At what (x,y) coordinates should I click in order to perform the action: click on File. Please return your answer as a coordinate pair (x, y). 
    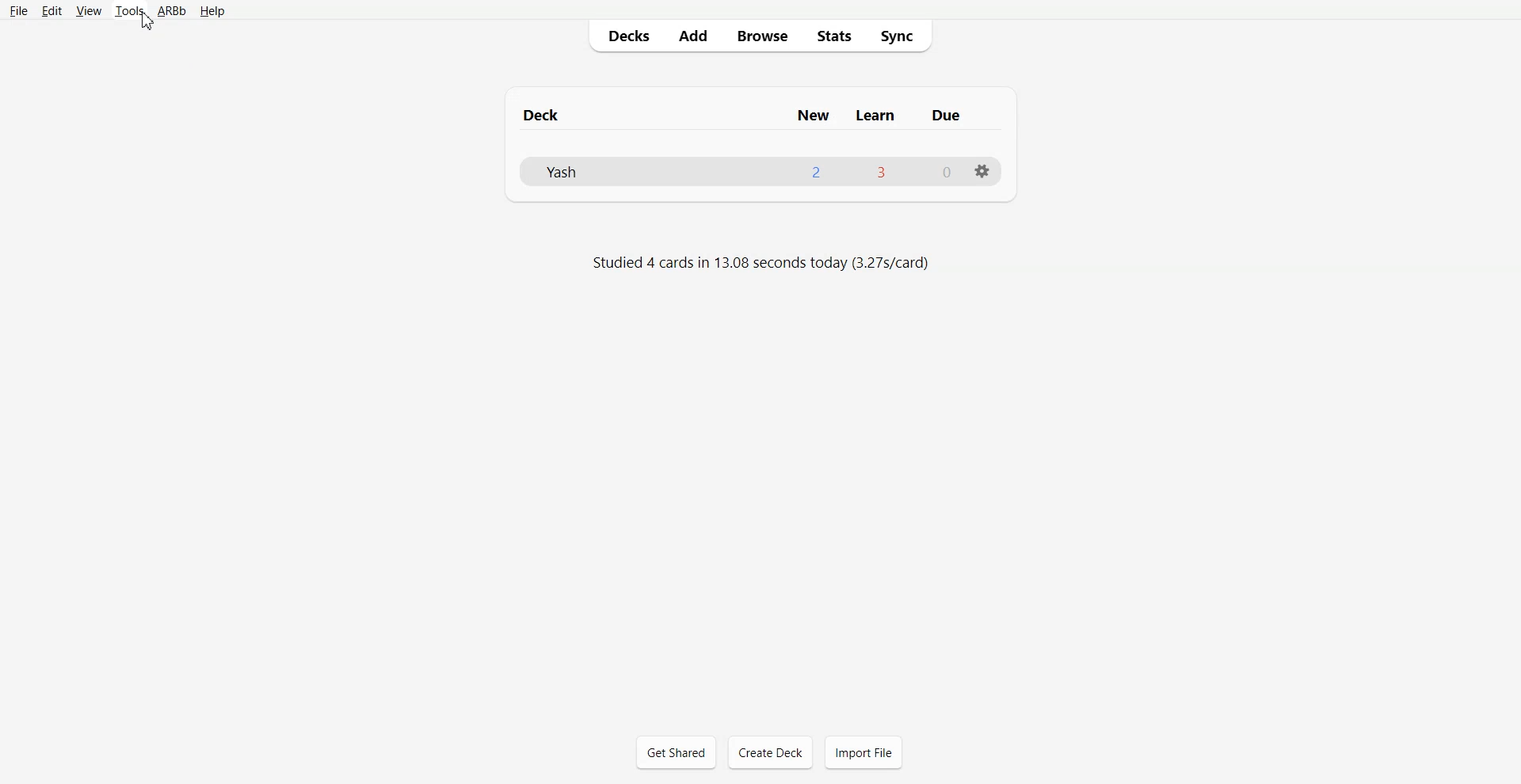
    Looking at the image, I should click on (19, 11).